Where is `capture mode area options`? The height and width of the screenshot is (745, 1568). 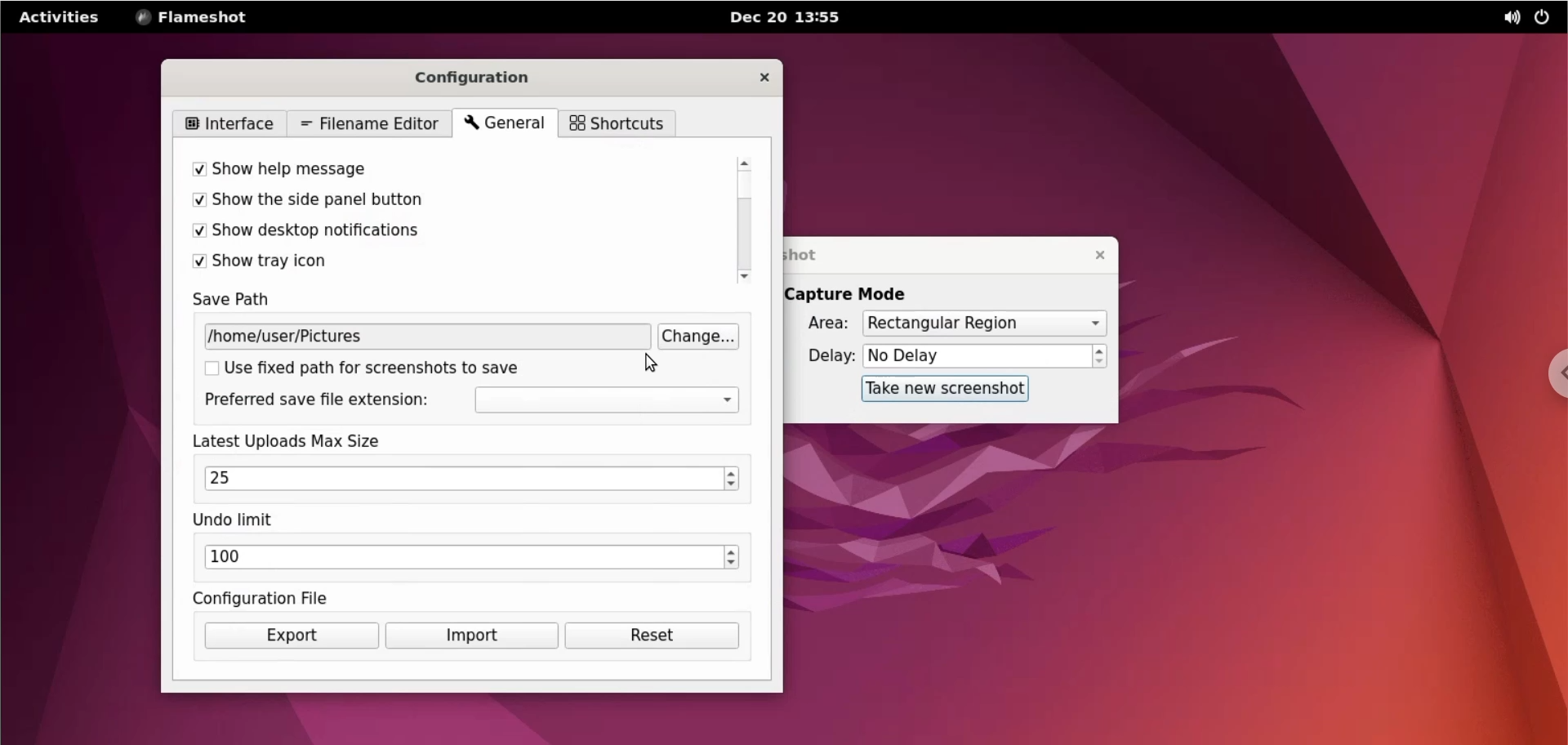
capture mode area options is located at coordinates (983, 324).